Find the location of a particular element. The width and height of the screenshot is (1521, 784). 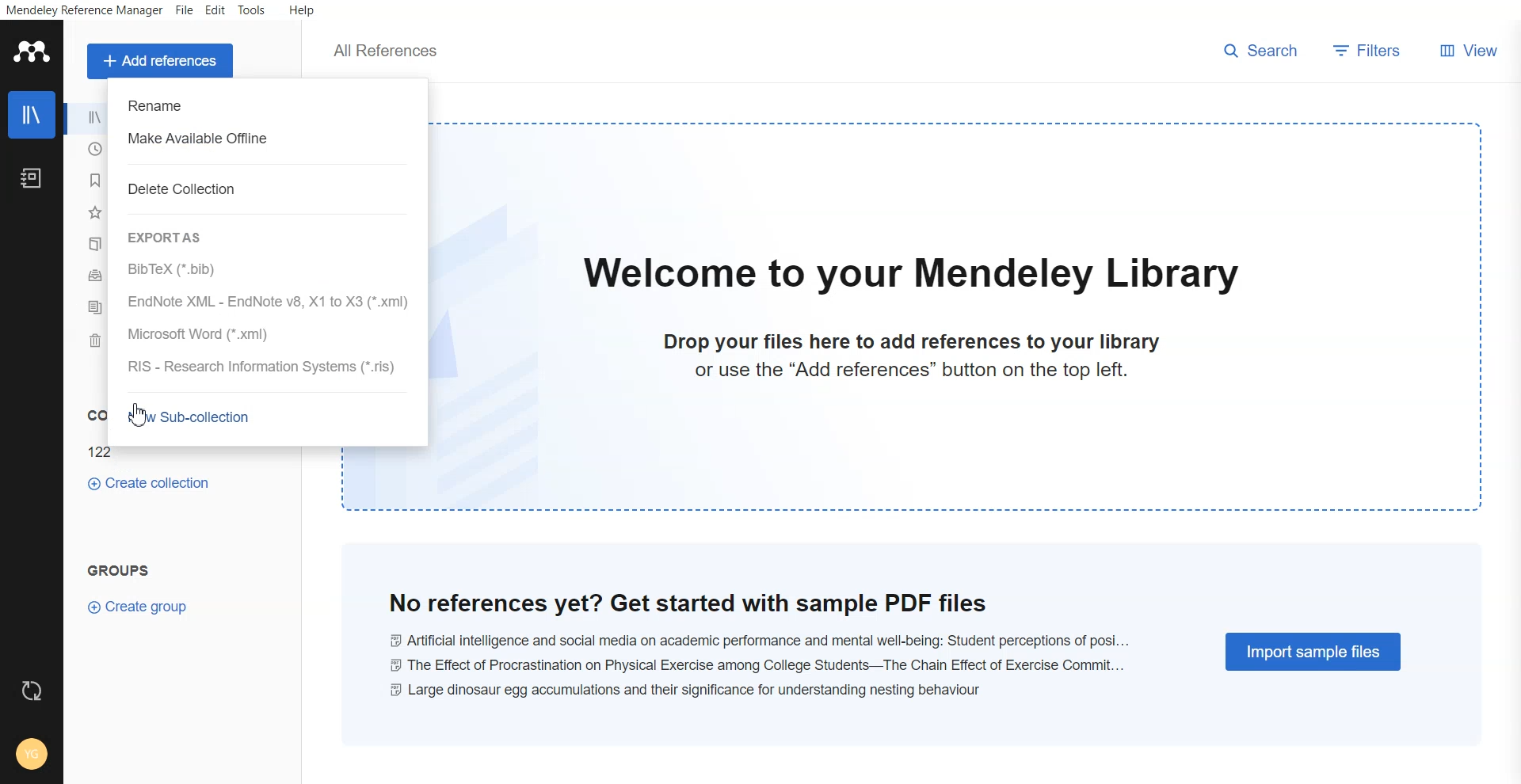

Add a references is located at coordinates (158, 62).